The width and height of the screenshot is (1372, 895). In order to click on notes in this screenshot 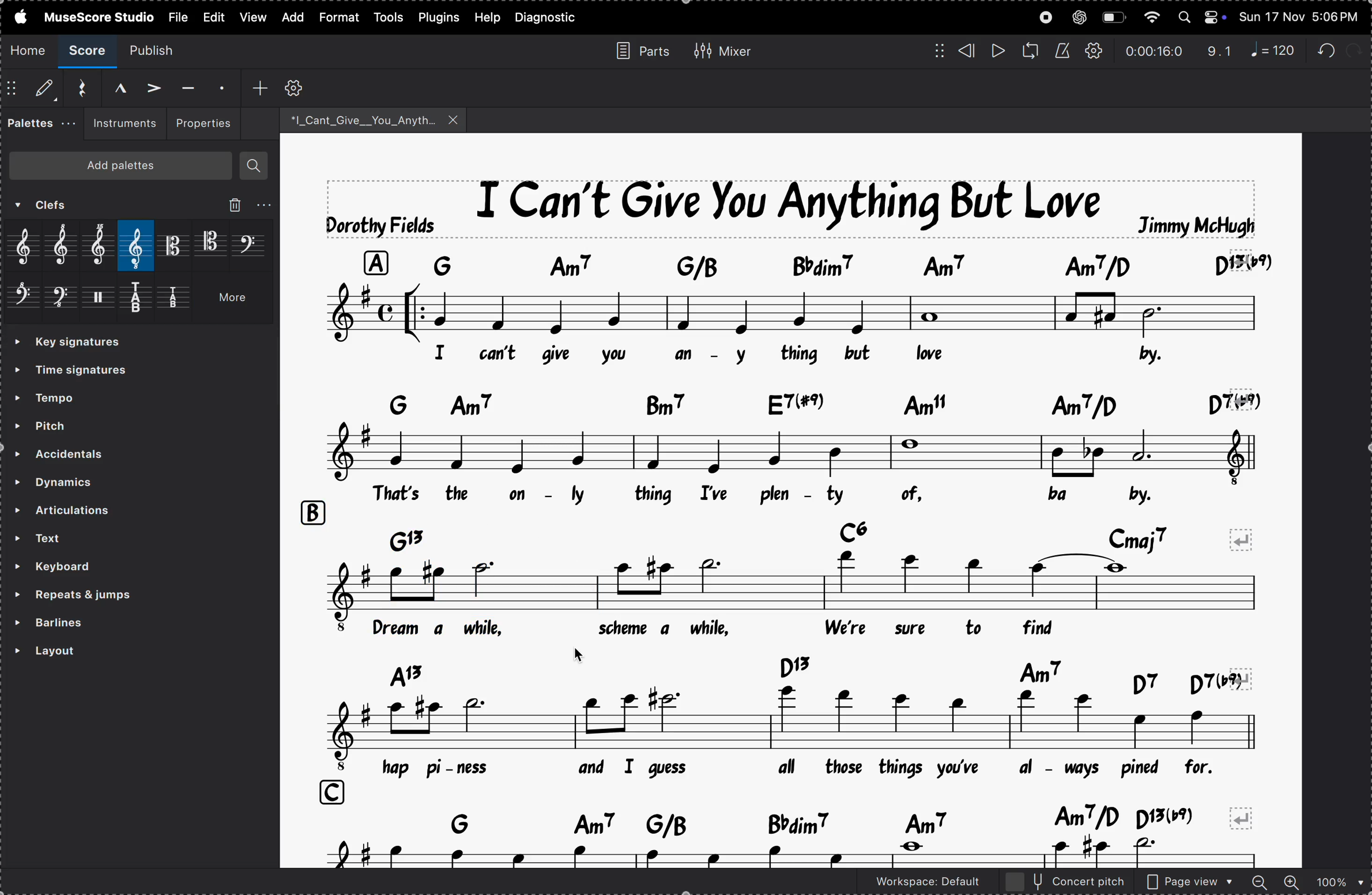, I will do `click(811, 724)`.